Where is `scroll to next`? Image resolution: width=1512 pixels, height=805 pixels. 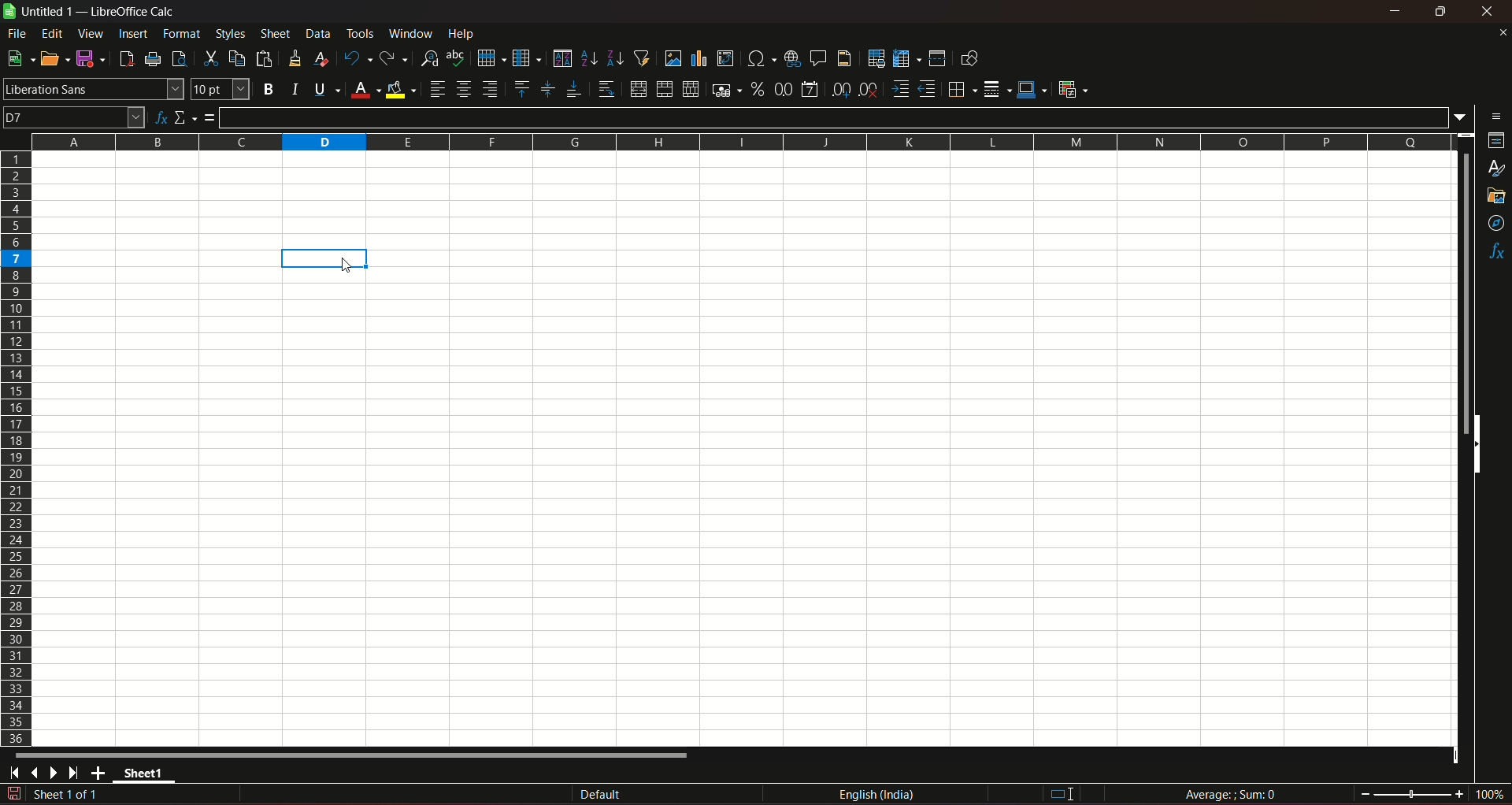
scroll to next is located at coordinates (57, 773).